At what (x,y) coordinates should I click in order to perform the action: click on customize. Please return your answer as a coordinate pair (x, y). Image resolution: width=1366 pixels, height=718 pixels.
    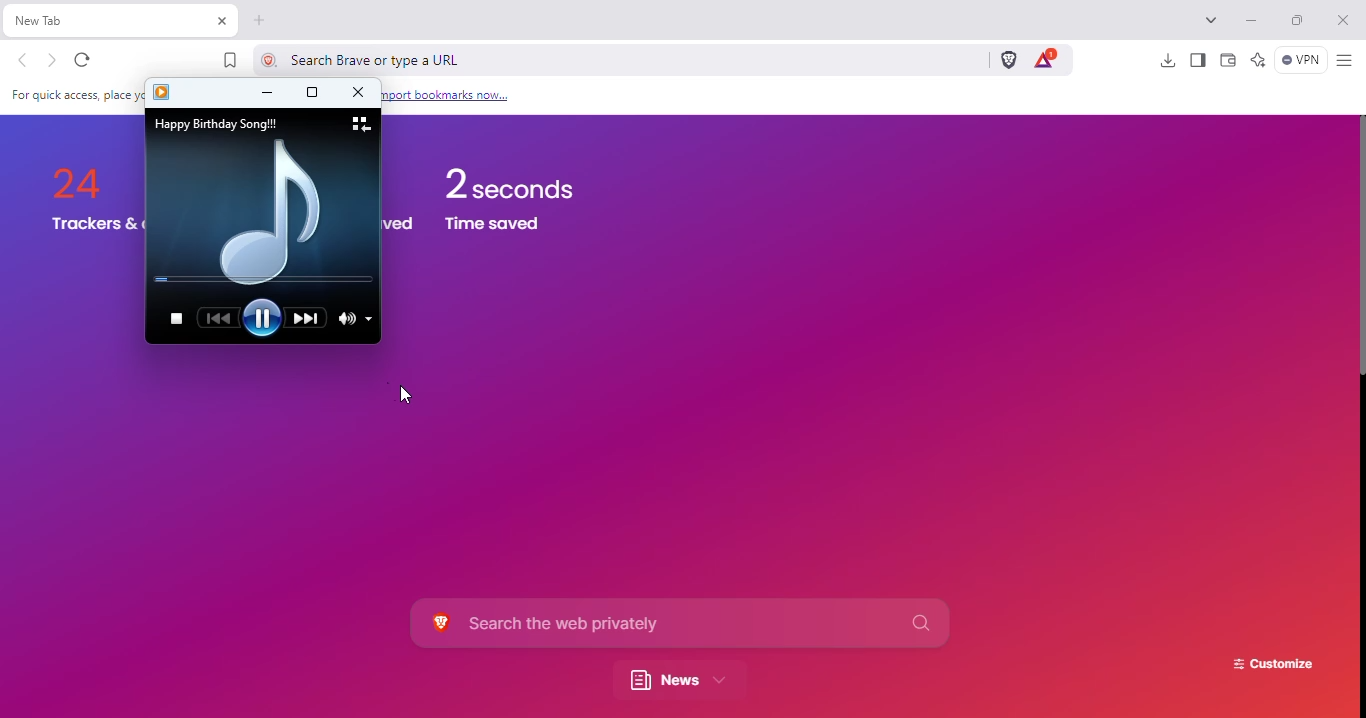
    Looking at the image, I should click on (1273, 665).